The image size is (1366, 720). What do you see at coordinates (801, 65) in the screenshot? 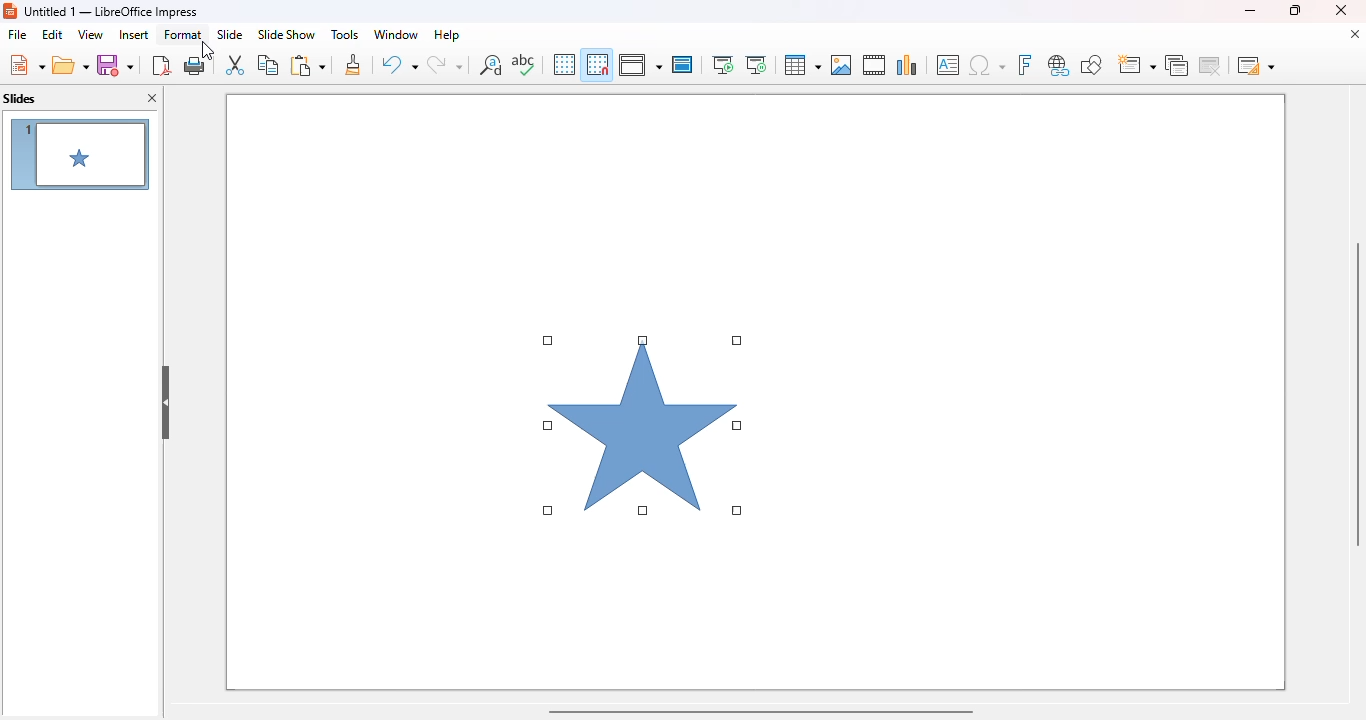
I see `table` at bounding box center [801, 65].